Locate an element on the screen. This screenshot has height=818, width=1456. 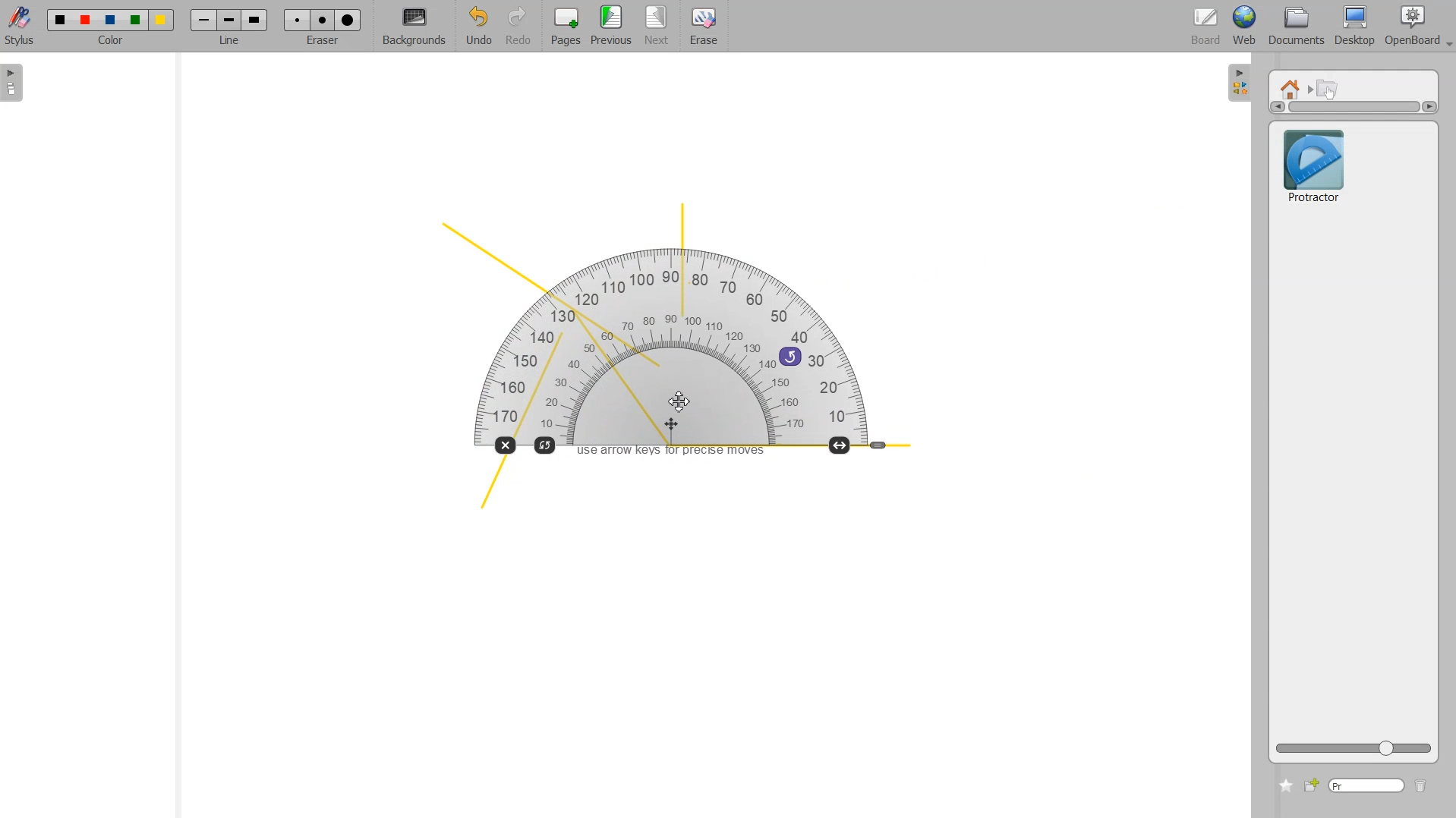
Undo is located at coordinates (476, 27).